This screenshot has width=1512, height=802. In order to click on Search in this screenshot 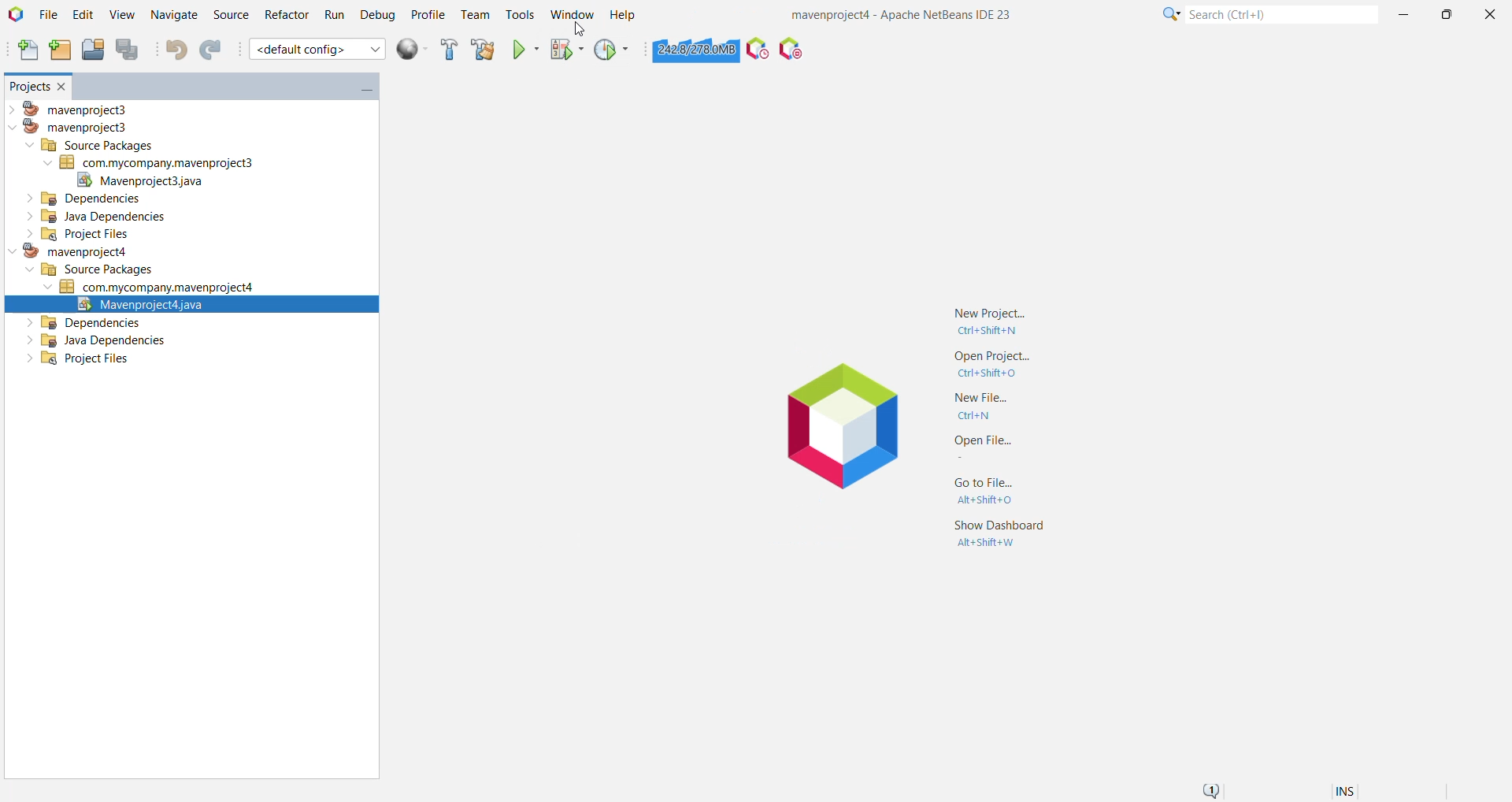, I will do `click(1280, 16)`.